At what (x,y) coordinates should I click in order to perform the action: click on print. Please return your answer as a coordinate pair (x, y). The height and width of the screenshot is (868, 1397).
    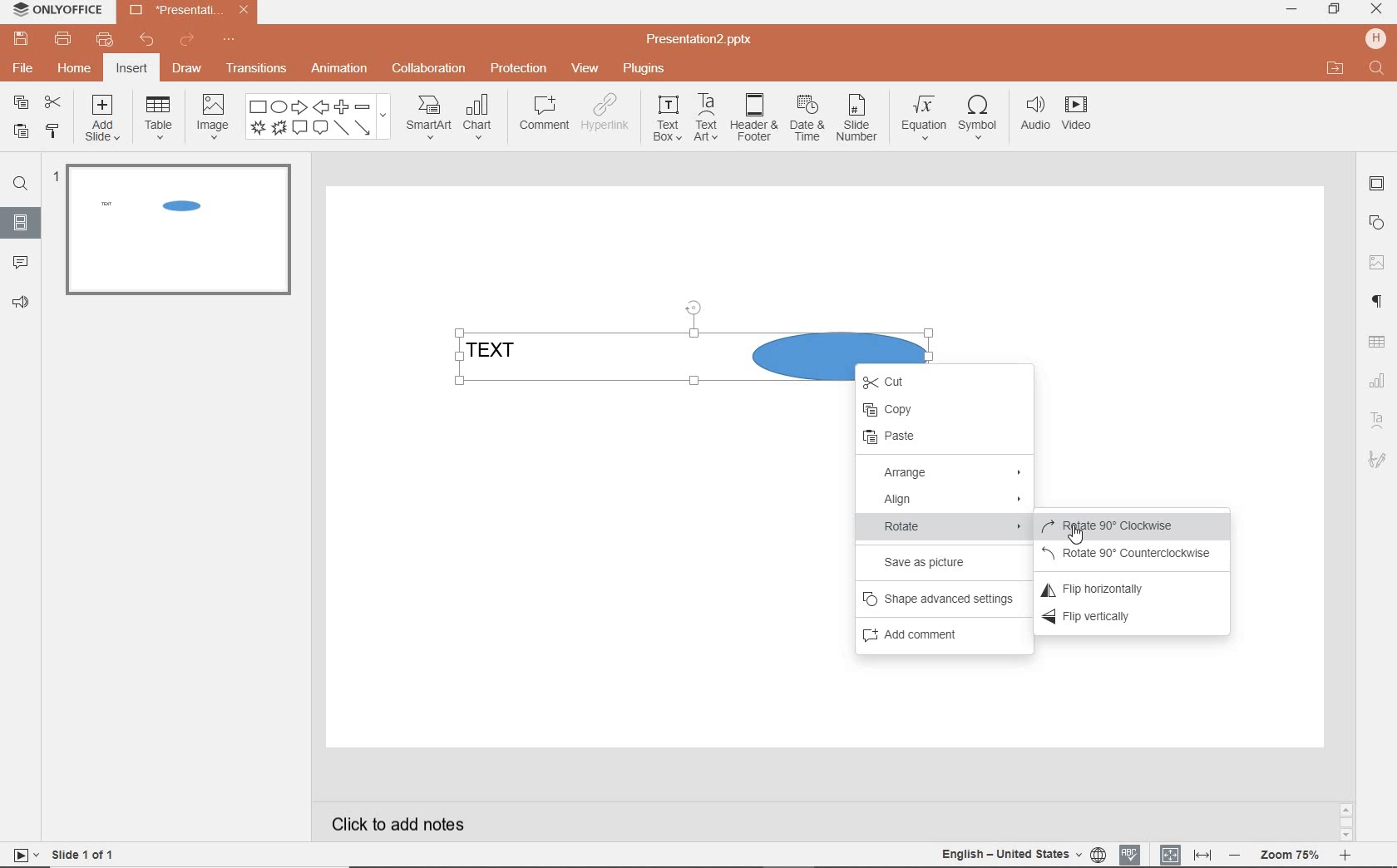
    Looking at the image, I should click on (64, 39).